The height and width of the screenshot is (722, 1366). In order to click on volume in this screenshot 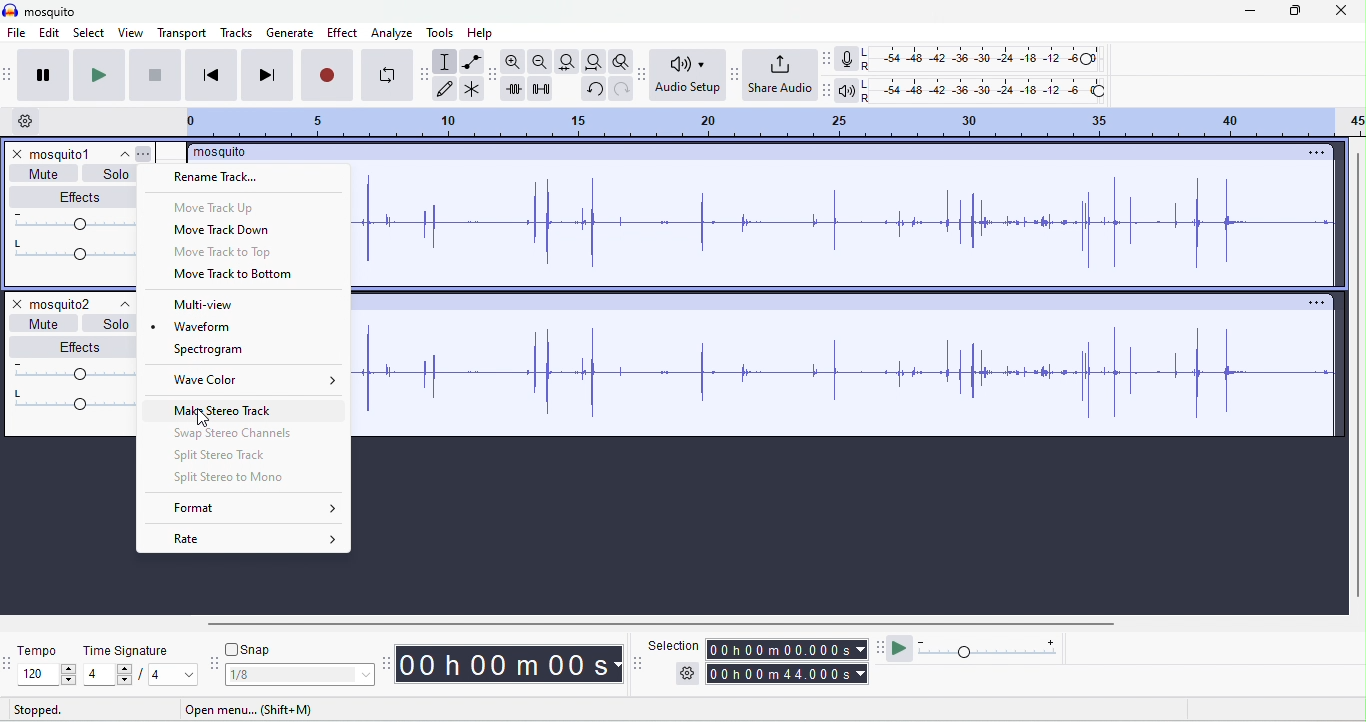, I will do `click(79, 221)`.